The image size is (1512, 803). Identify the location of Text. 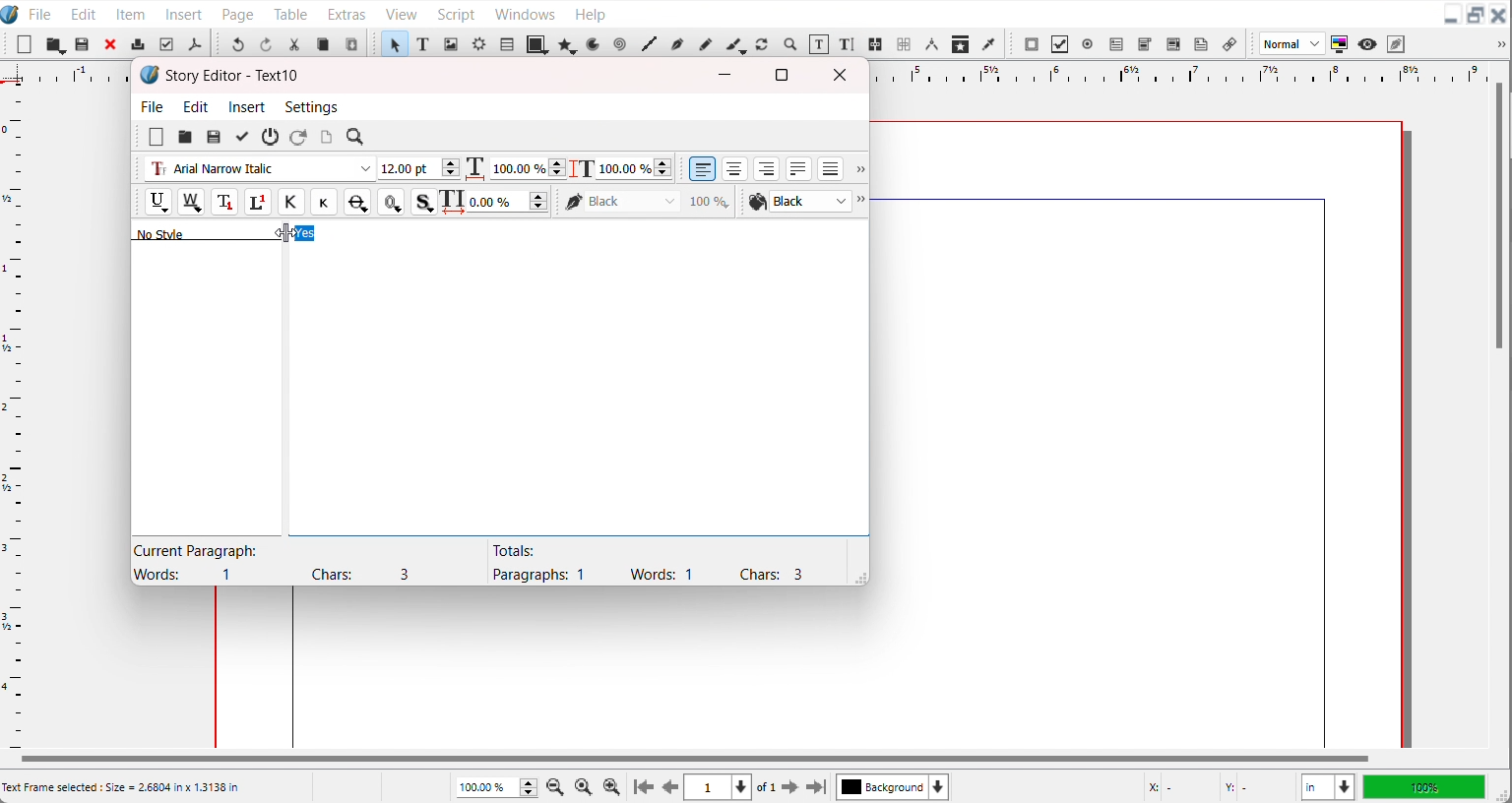
(233, 76).